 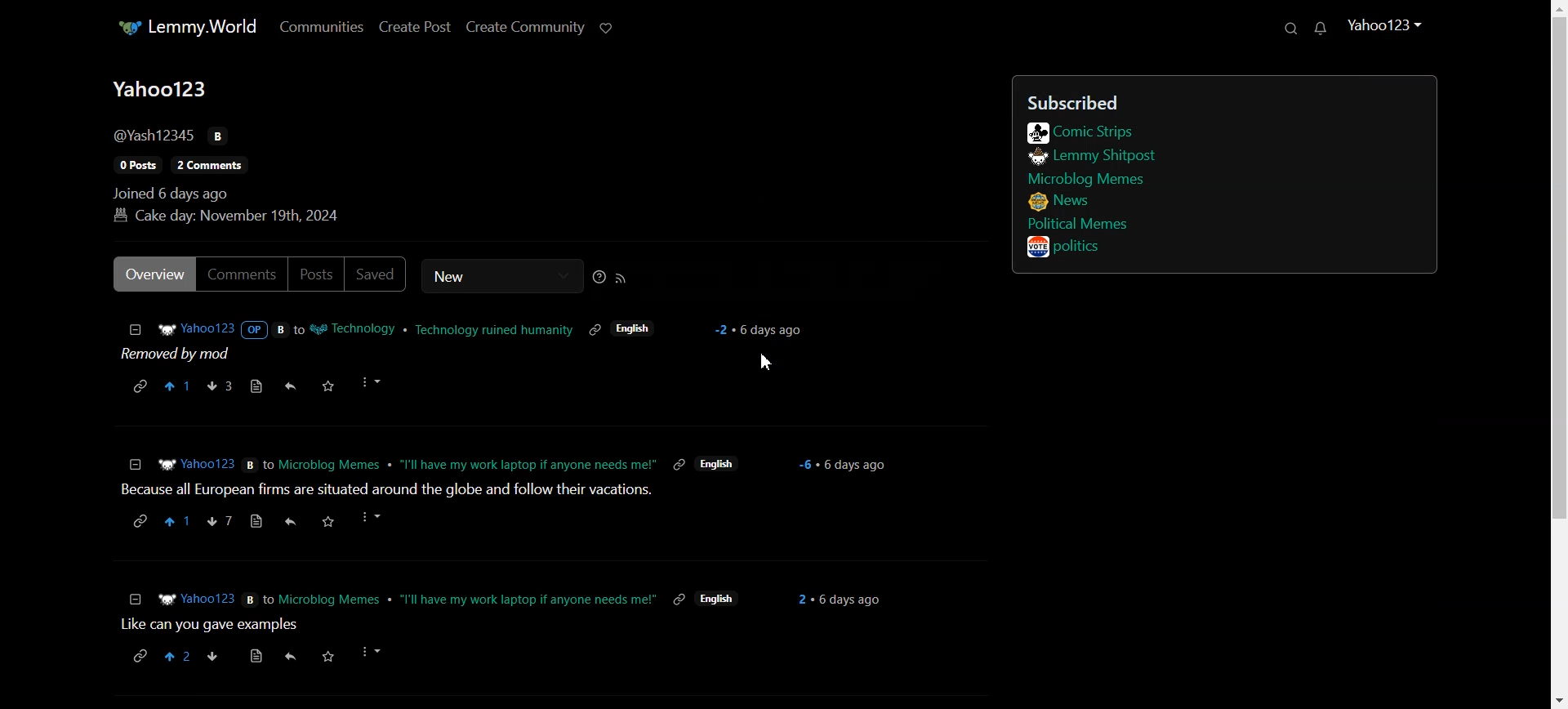 What do you see at coordinates (136, 463) in the screenshot?
I see `collapse` at bounding box center [136, 463].